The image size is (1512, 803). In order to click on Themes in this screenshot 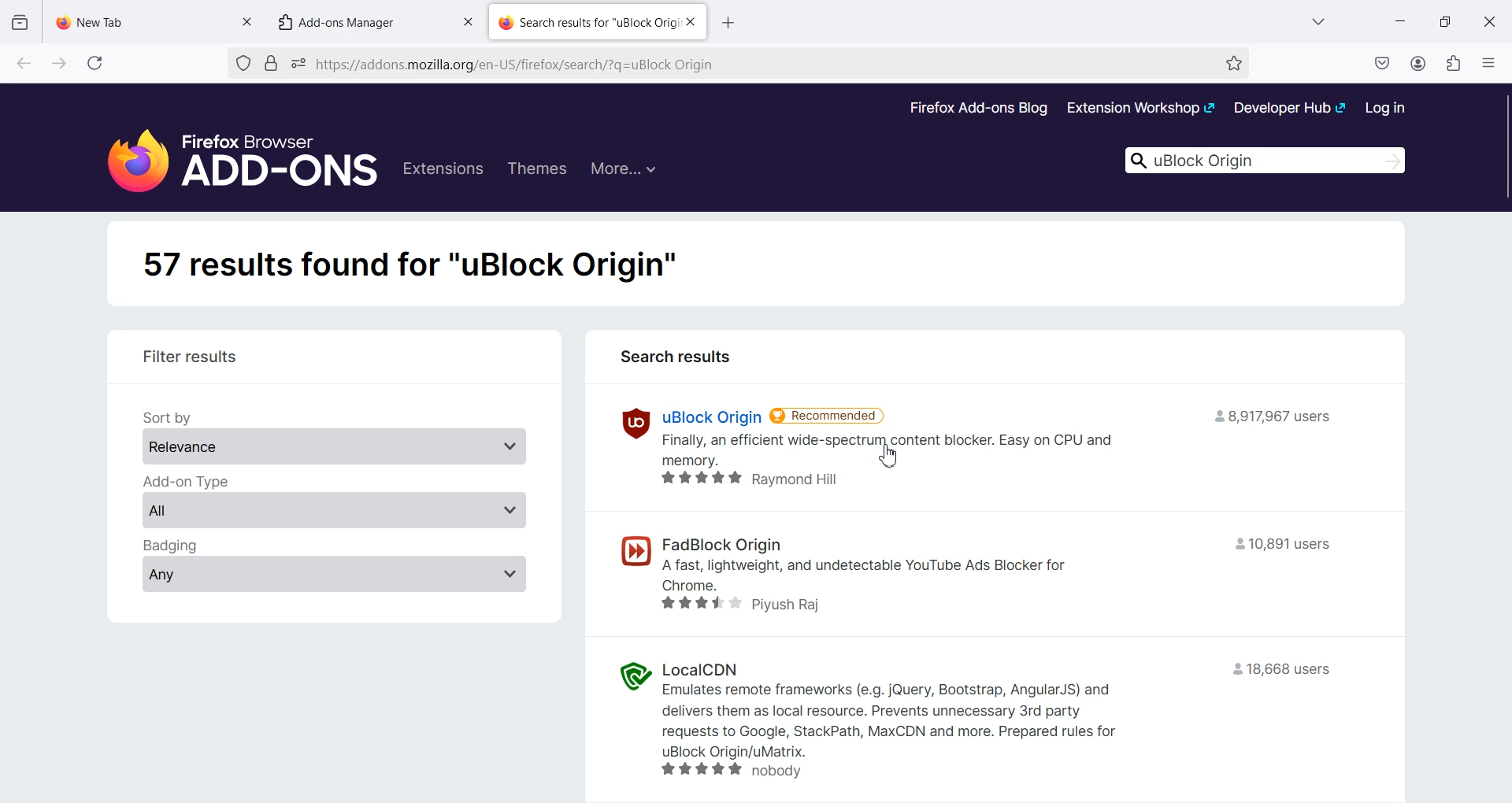, I will do `click(536, 169)`.